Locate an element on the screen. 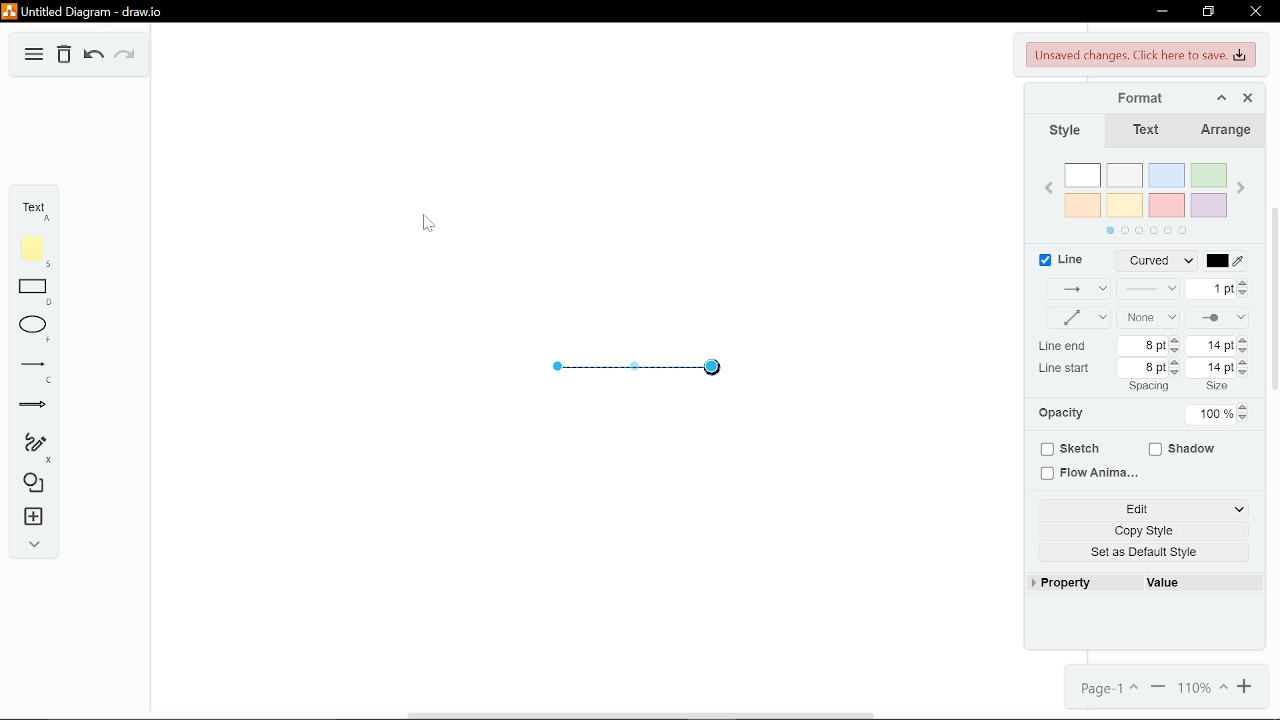  Current line end size is located at coordinates (1214, 346).